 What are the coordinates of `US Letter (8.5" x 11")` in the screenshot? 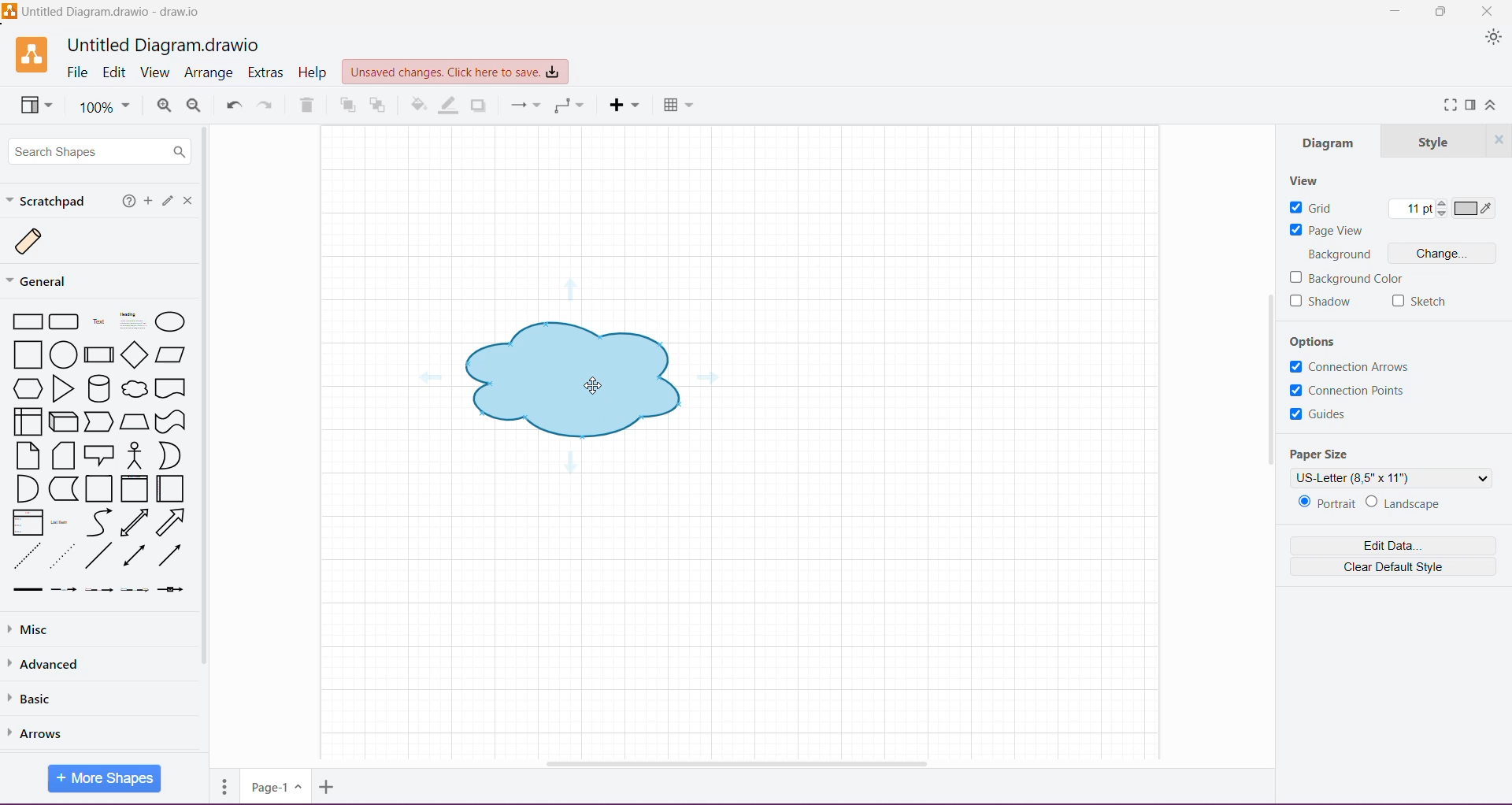 It's located at (1392, 477).